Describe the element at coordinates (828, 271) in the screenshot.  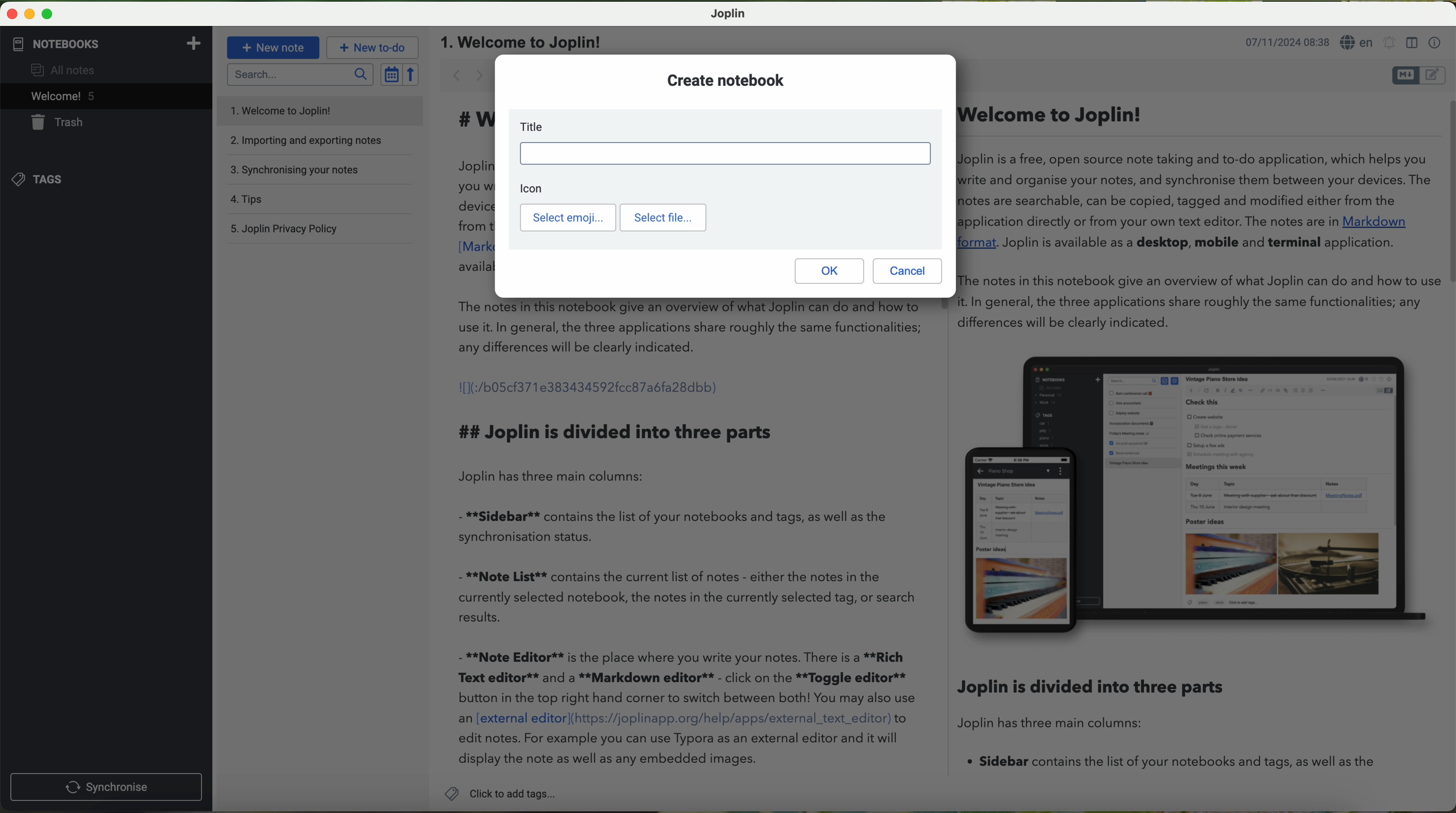
I see `OK` at that location.